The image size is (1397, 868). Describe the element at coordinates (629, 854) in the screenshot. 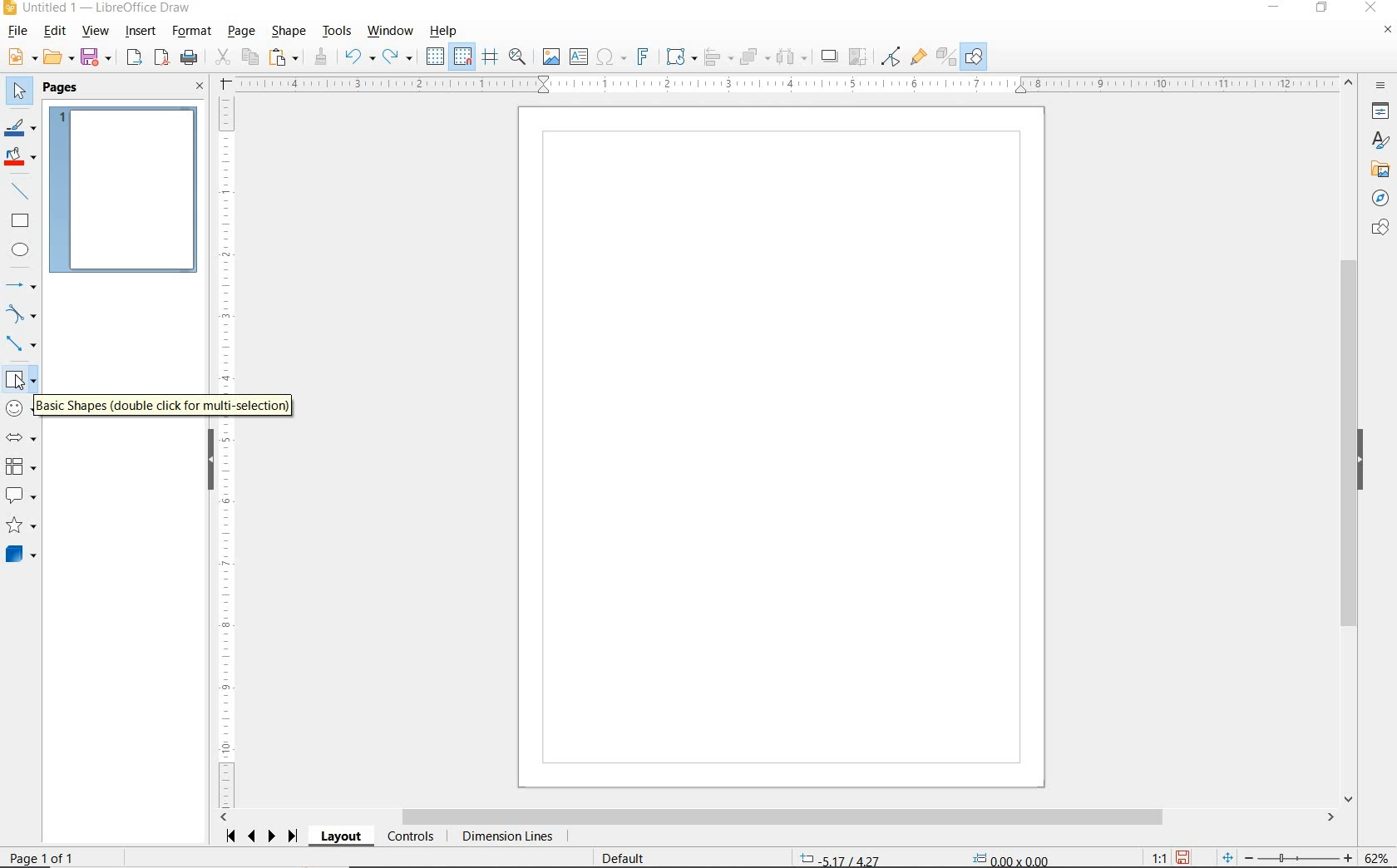

I see `DEFAULT` at that location.